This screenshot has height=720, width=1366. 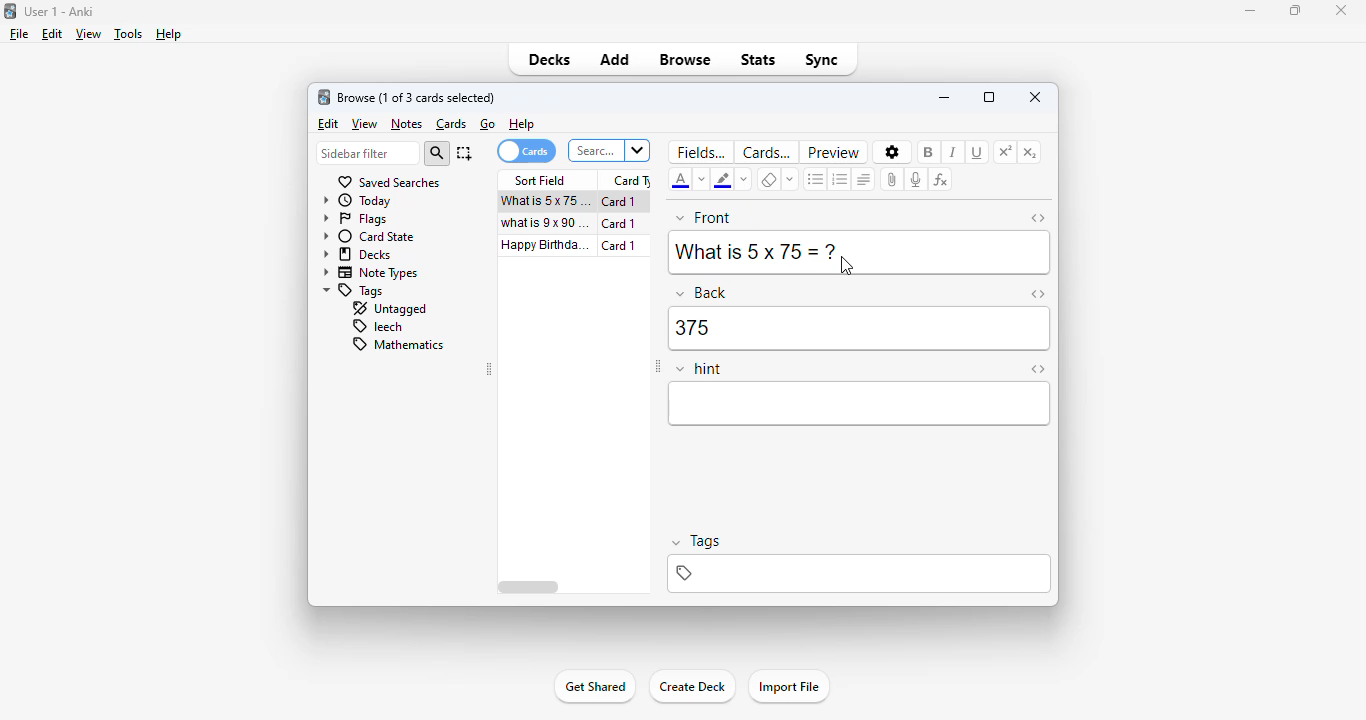 I want to click on leech, so click(x=377, y=327).